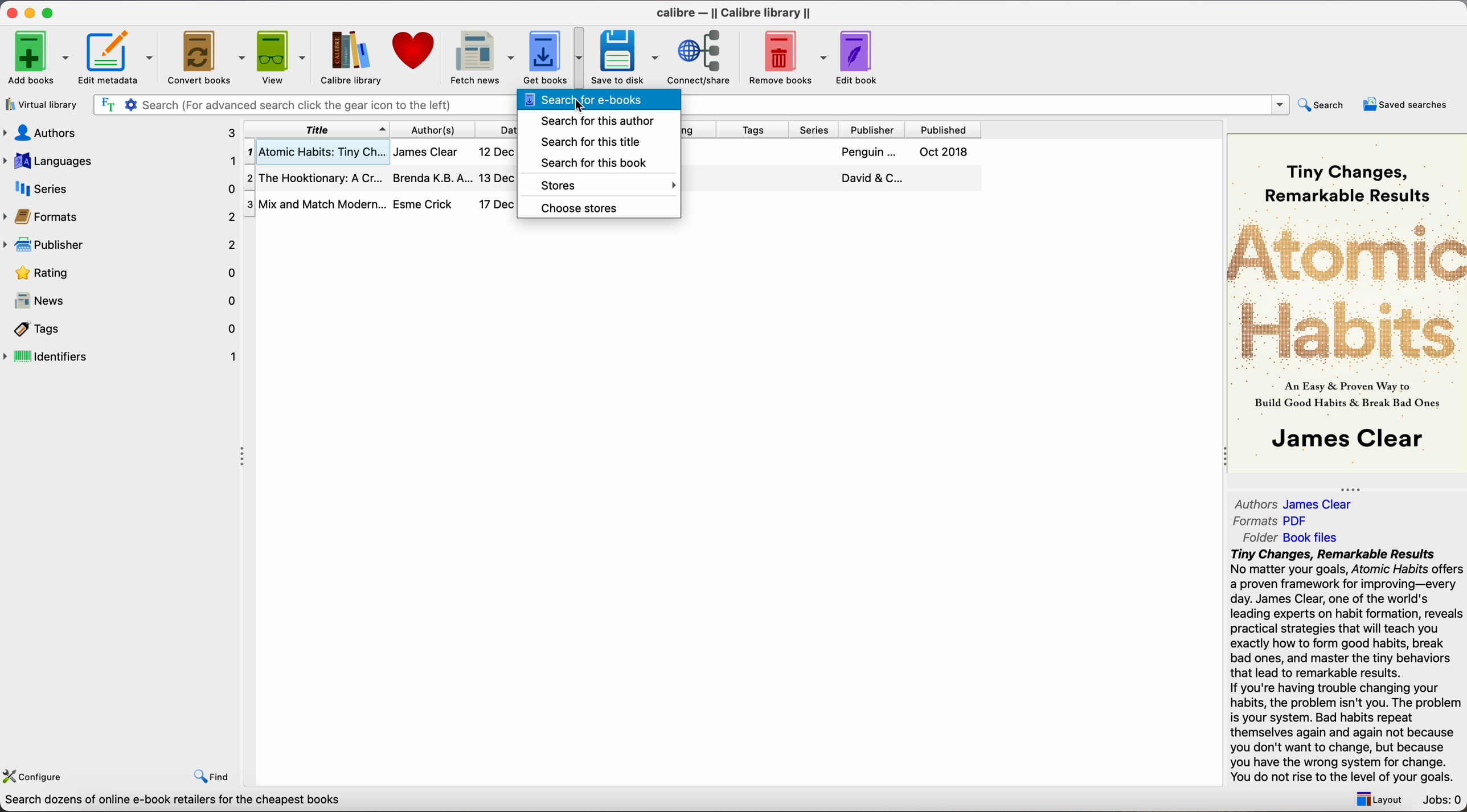 The image size is (1467, 812). Describe the element at coordinates (598, 185) in the screenshot. I see `stores` at that location.